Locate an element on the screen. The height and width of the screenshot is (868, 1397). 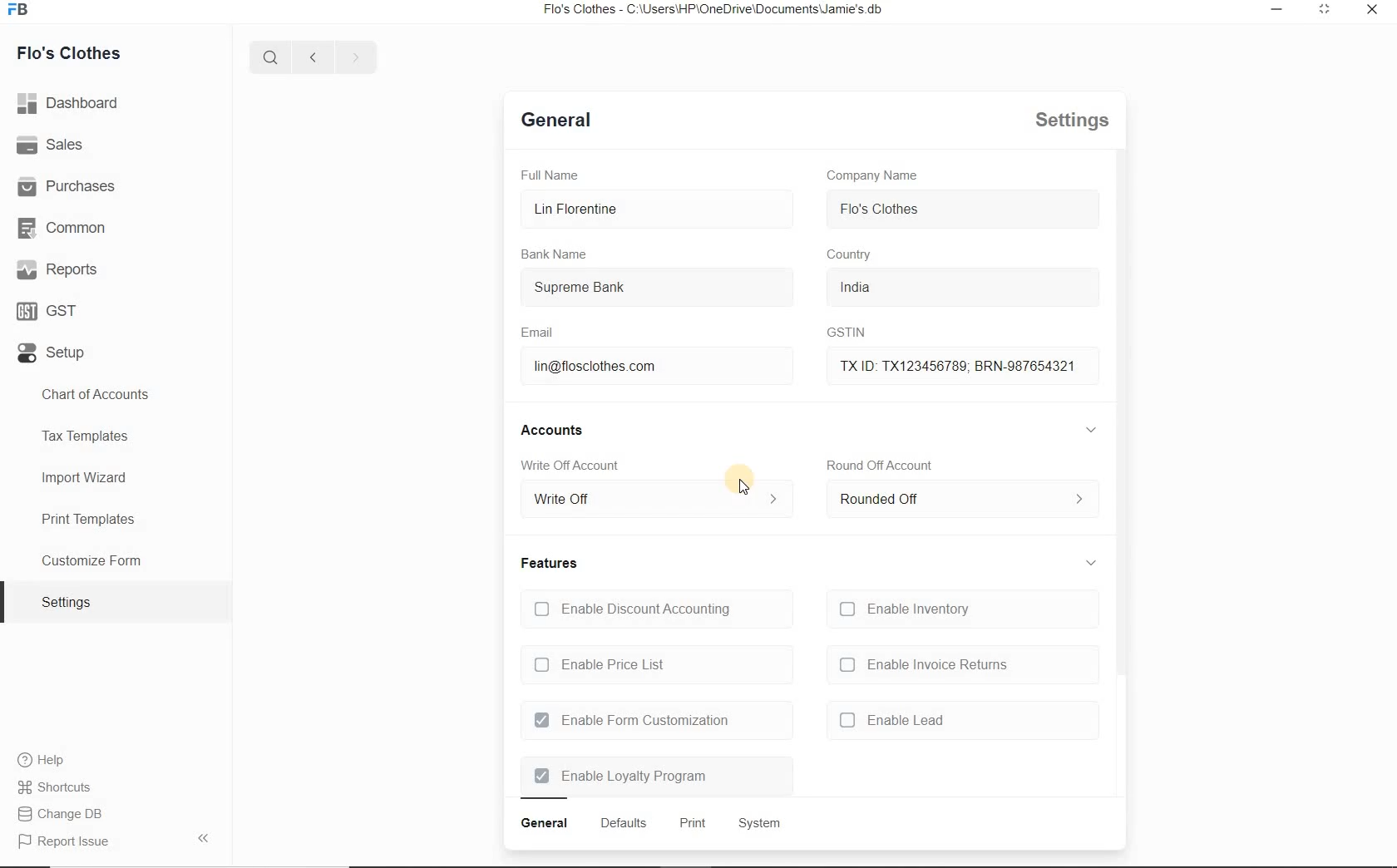
Full Name is located at coordinates (555, 175).